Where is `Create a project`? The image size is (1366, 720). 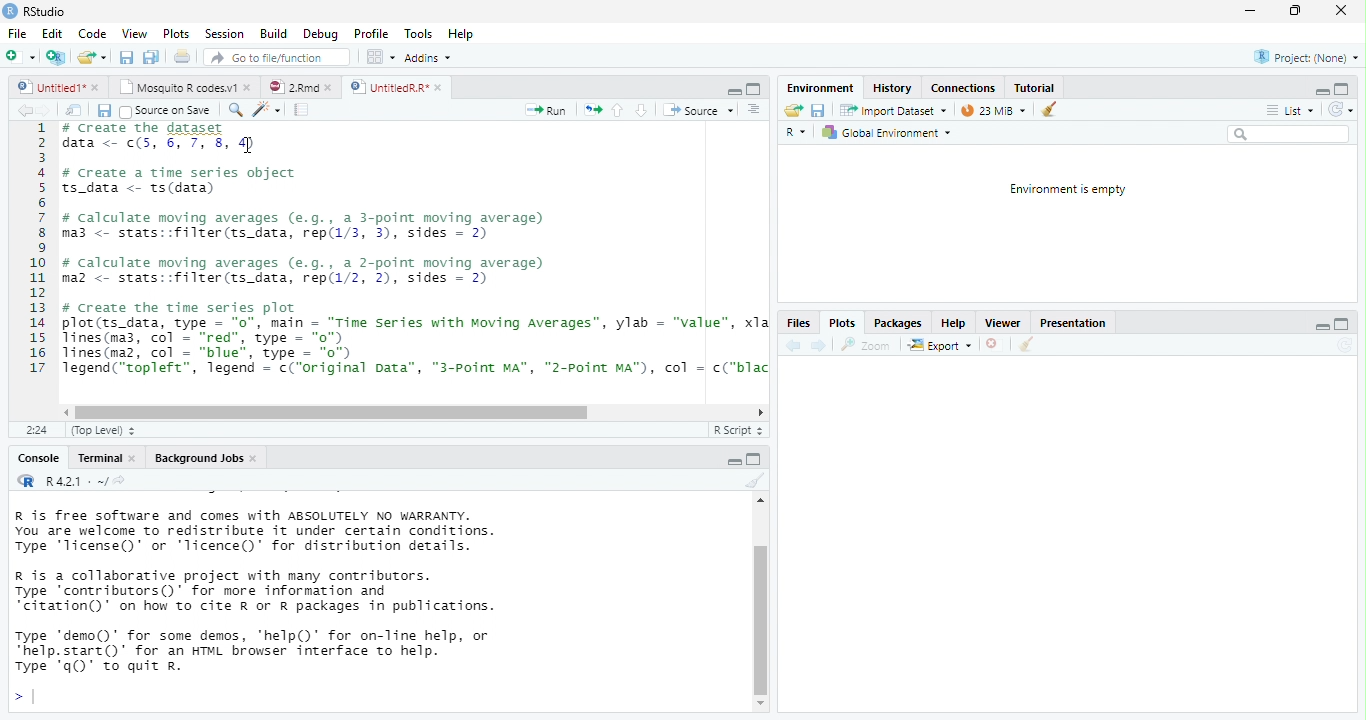 Create a project is located at coordinates (55, 57).